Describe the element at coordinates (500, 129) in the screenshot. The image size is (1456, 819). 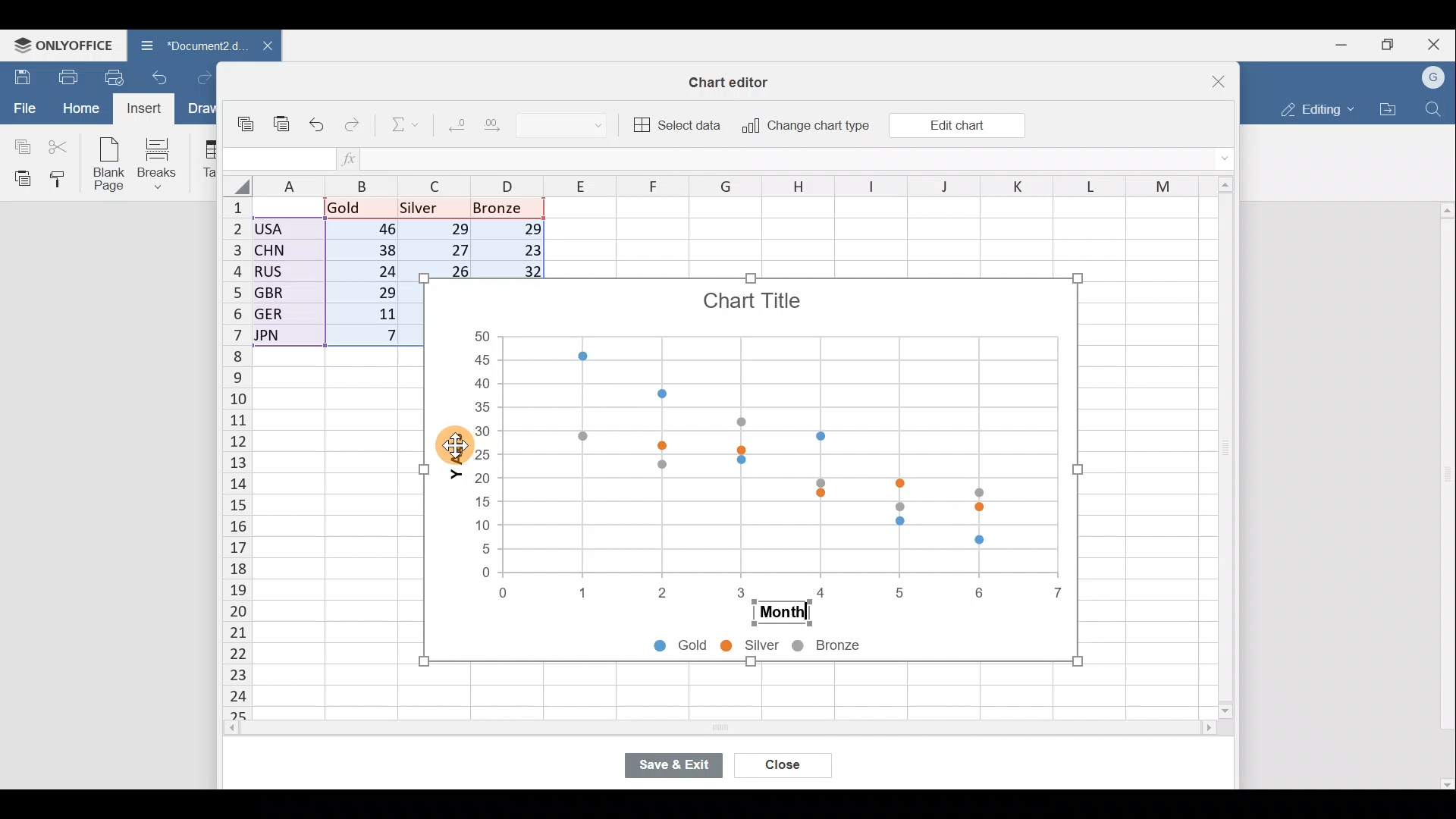
I see `Increase decimal` at that location.